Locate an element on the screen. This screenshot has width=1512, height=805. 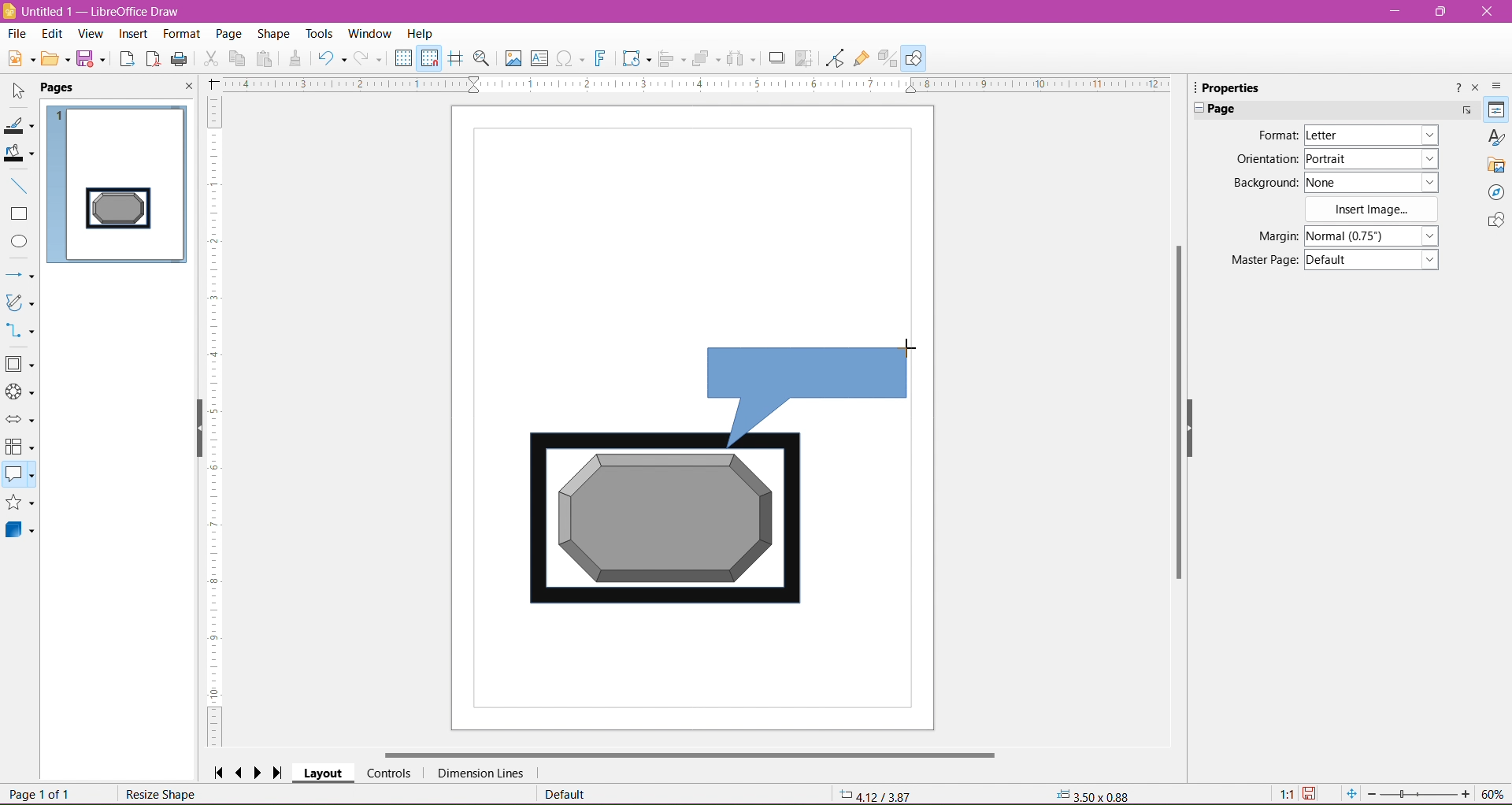
Navigator is located at coordinates (1496, 193).